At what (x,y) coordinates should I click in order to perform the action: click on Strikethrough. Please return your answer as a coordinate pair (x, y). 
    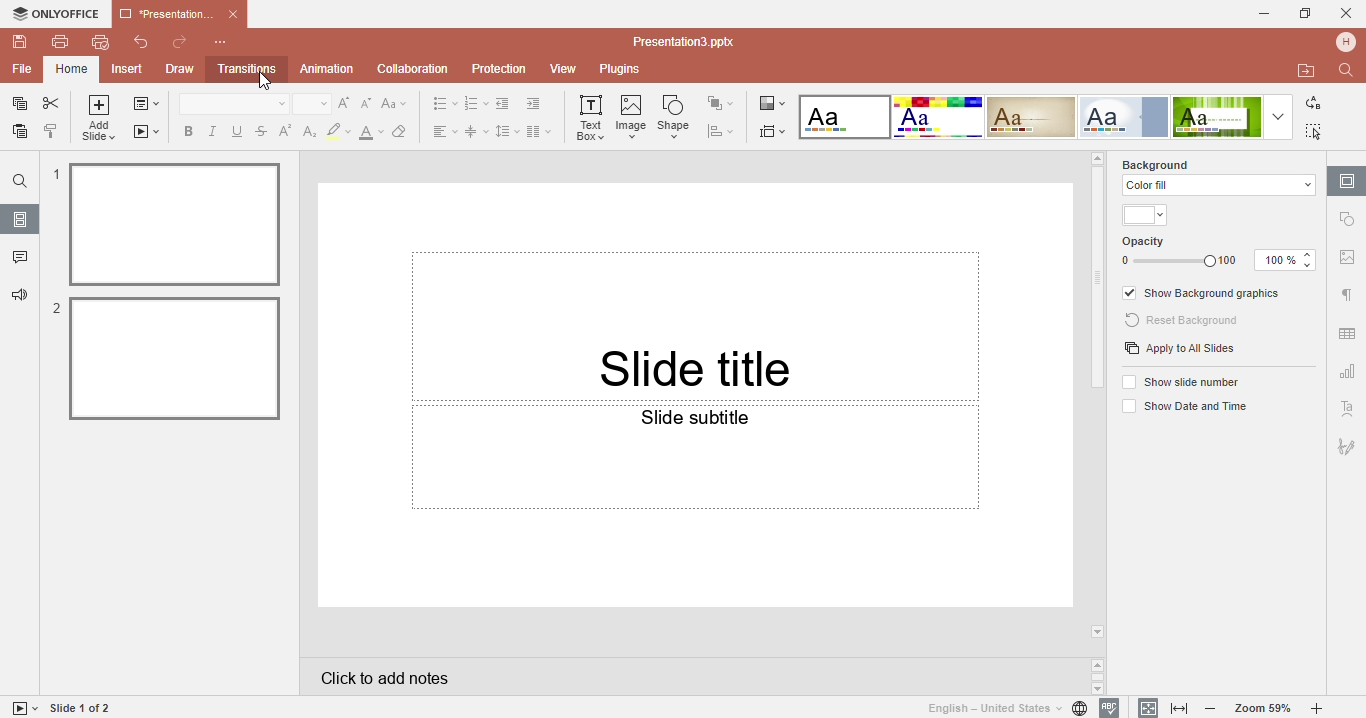
    Looking at the image, I should click on (261, 130).